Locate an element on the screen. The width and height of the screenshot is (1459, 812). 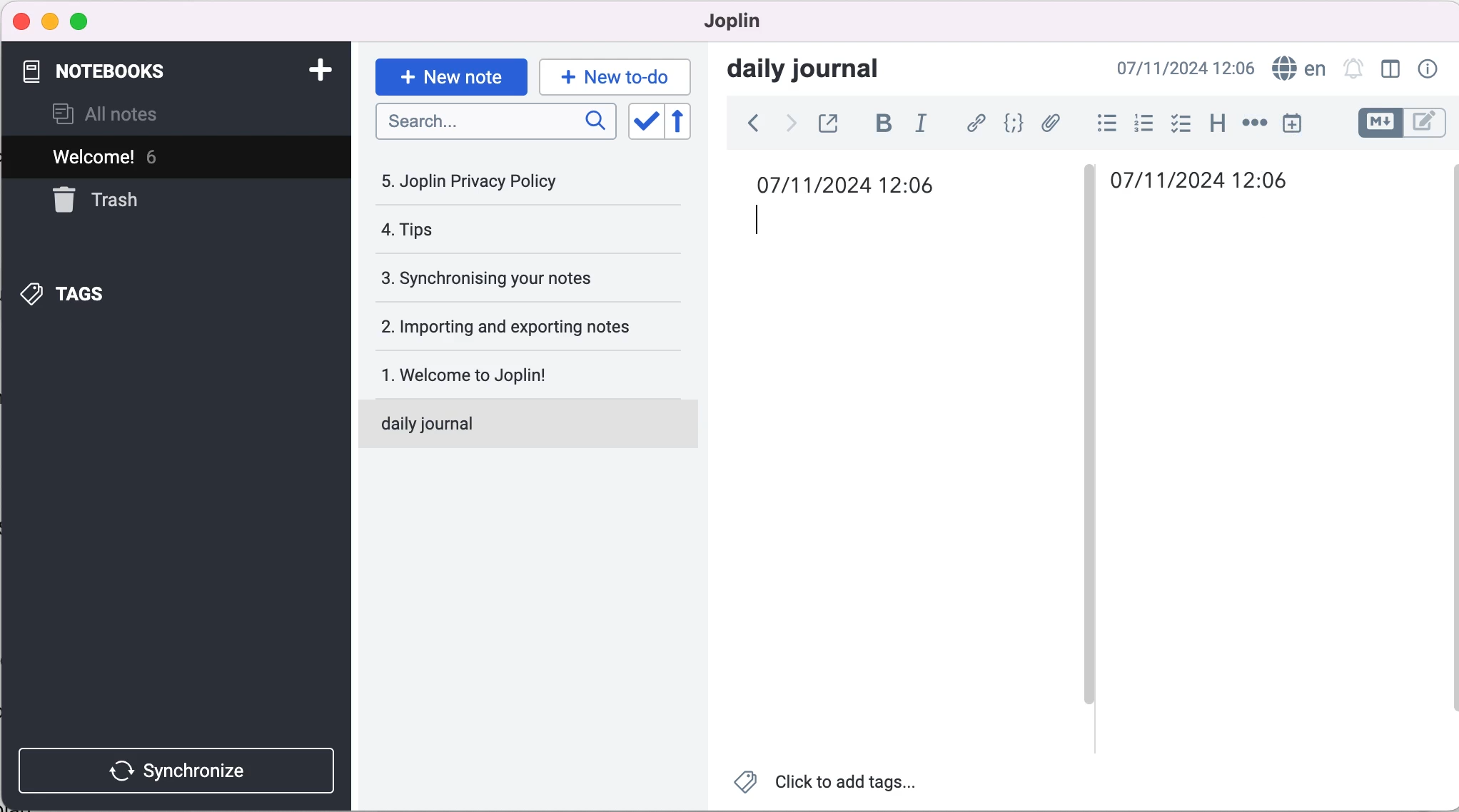
toggle external editing is located at coordinates (832, 123).